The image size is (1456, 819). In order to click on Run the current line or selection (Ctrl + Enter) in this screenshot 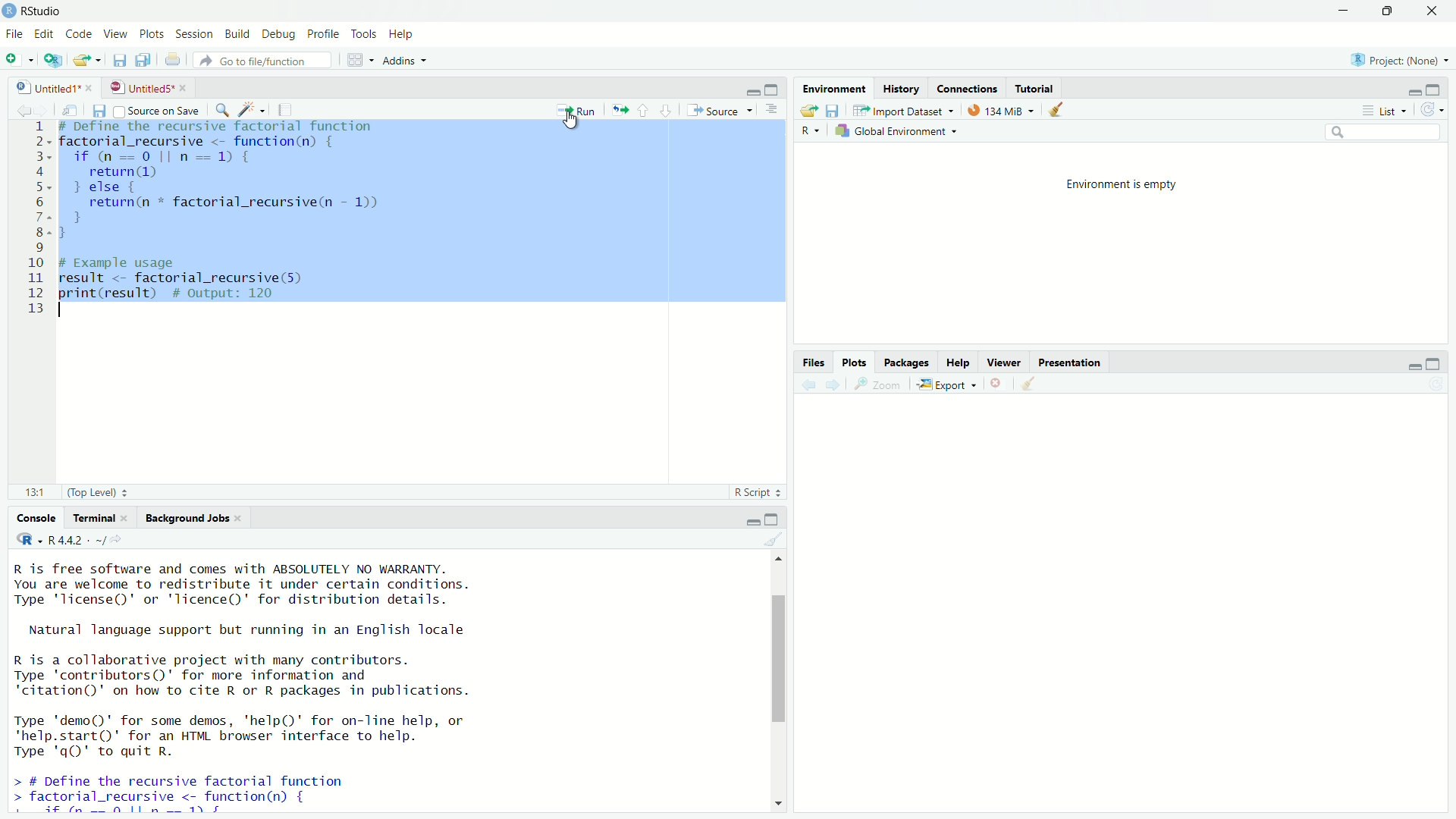, I will do `click(579, 108)`.